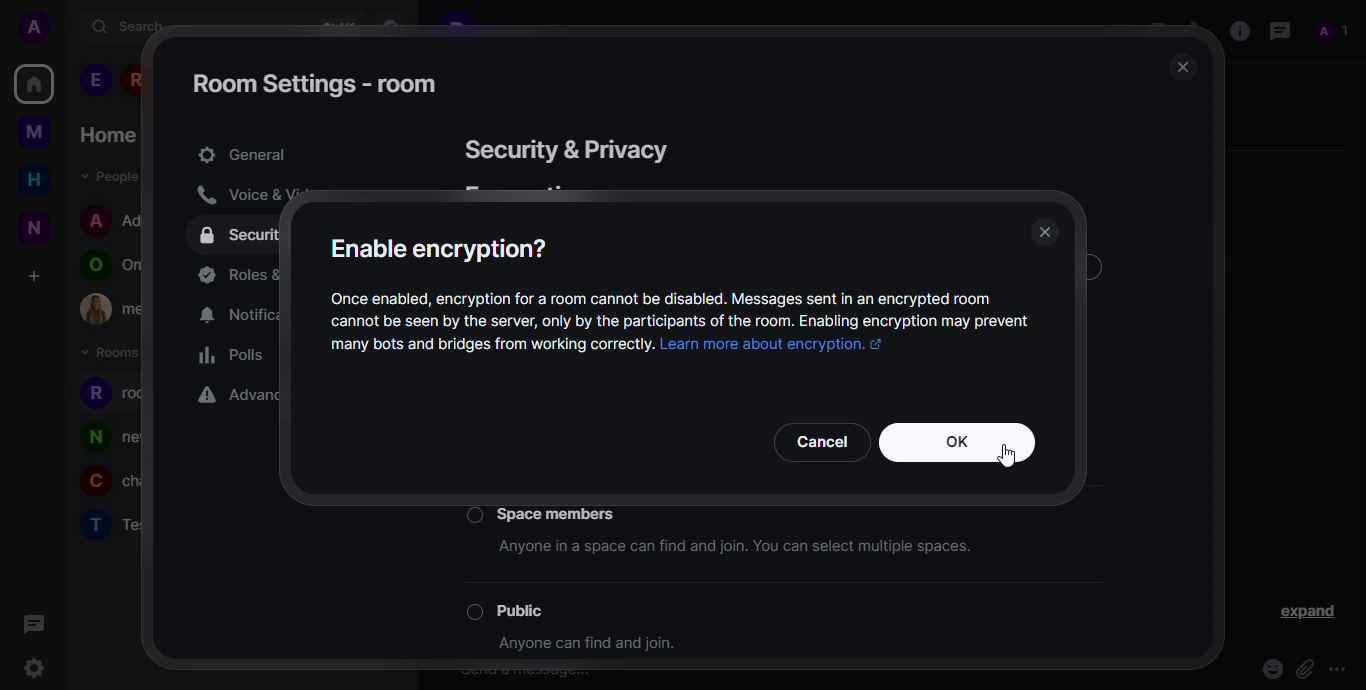  What do you see at coordinates (821, 441) in the screenshot?
I see `cancel` at bounding box center [821, 441].